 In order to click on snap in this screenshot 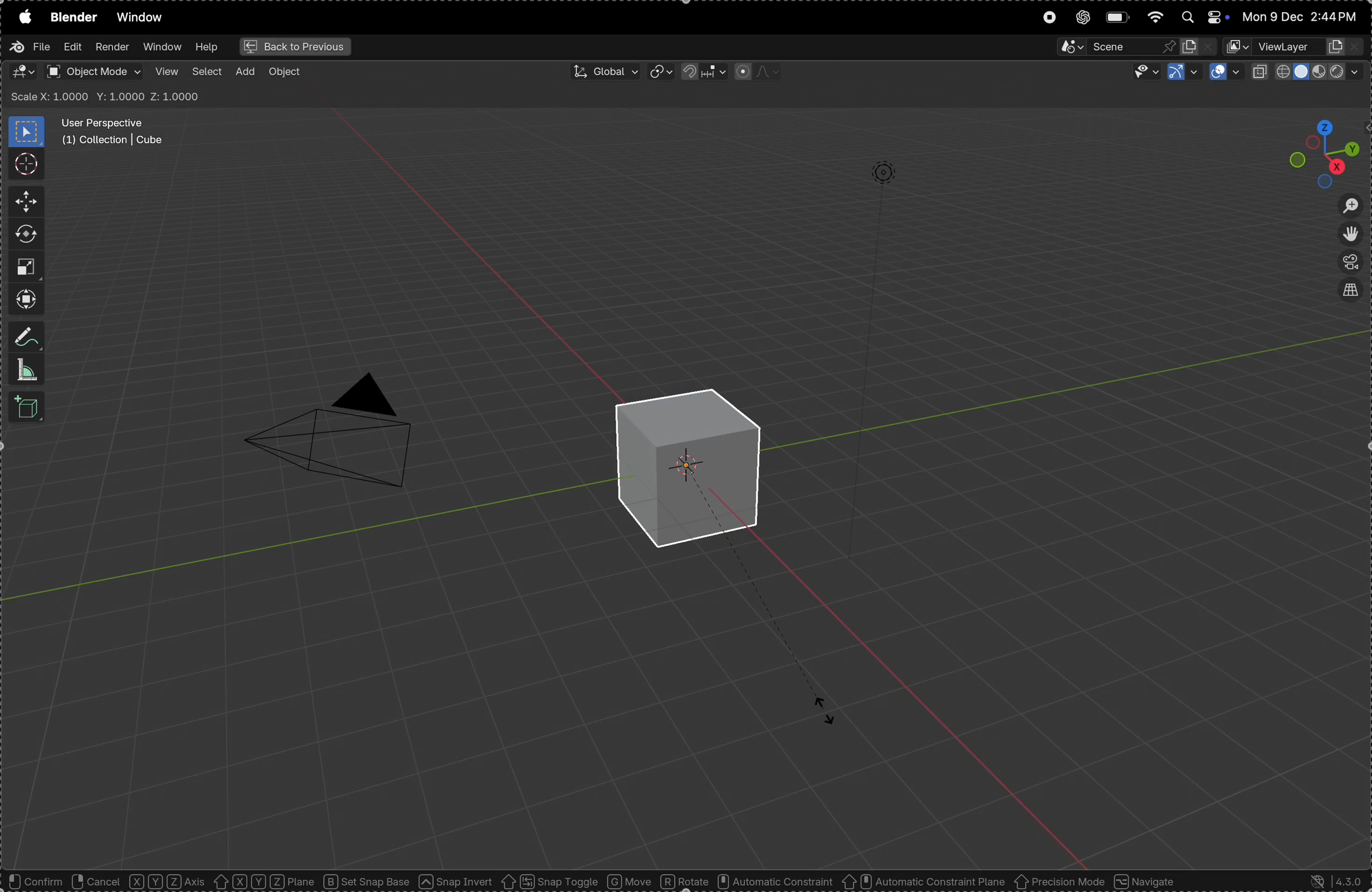, I will do `click(699, 72)`.